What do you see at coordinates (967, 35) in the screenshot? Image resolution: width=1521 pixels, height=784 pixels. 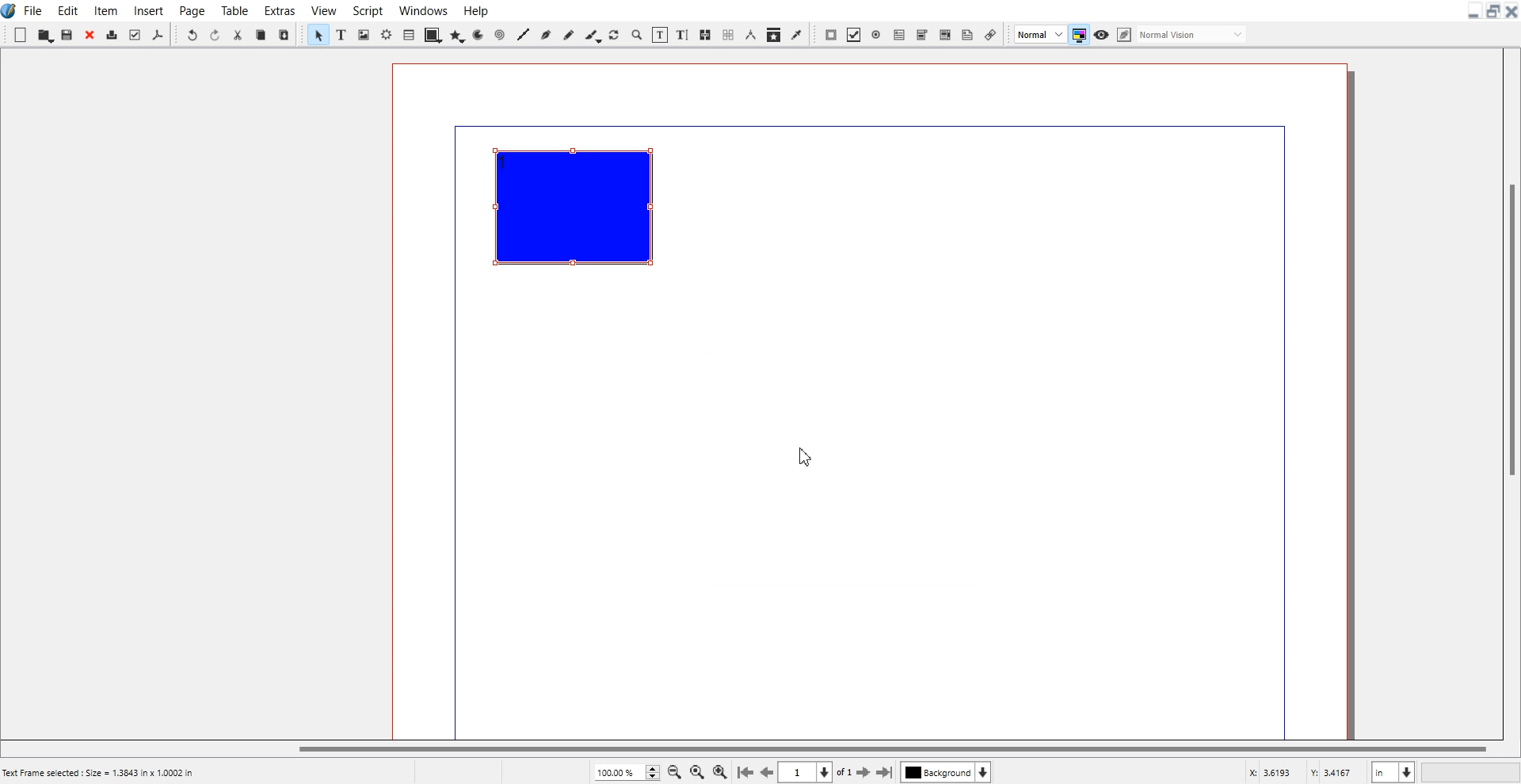 I see `Text Annotation` at bounding box center [967, 35].